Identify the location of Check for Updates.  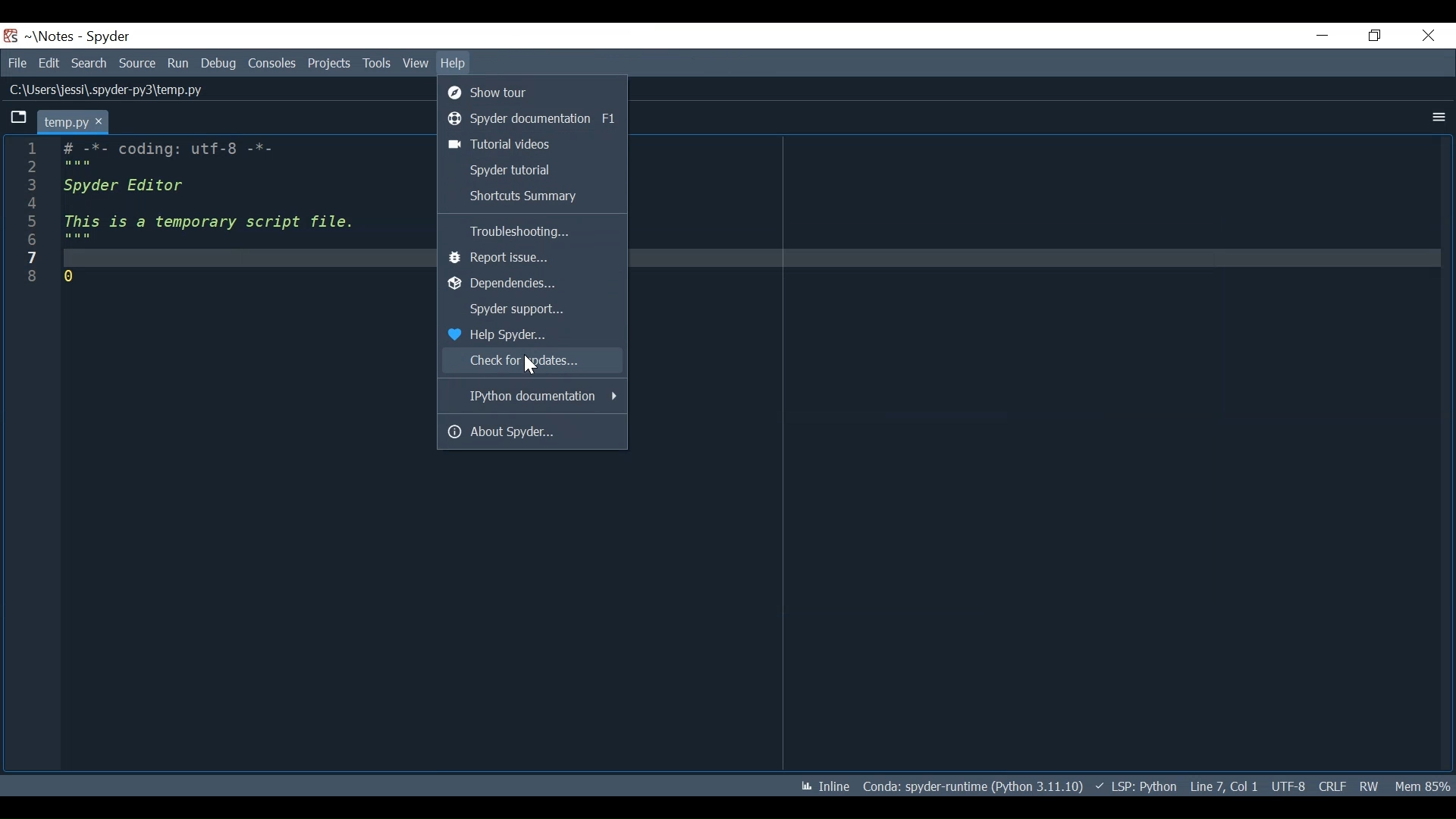
(530, 360).